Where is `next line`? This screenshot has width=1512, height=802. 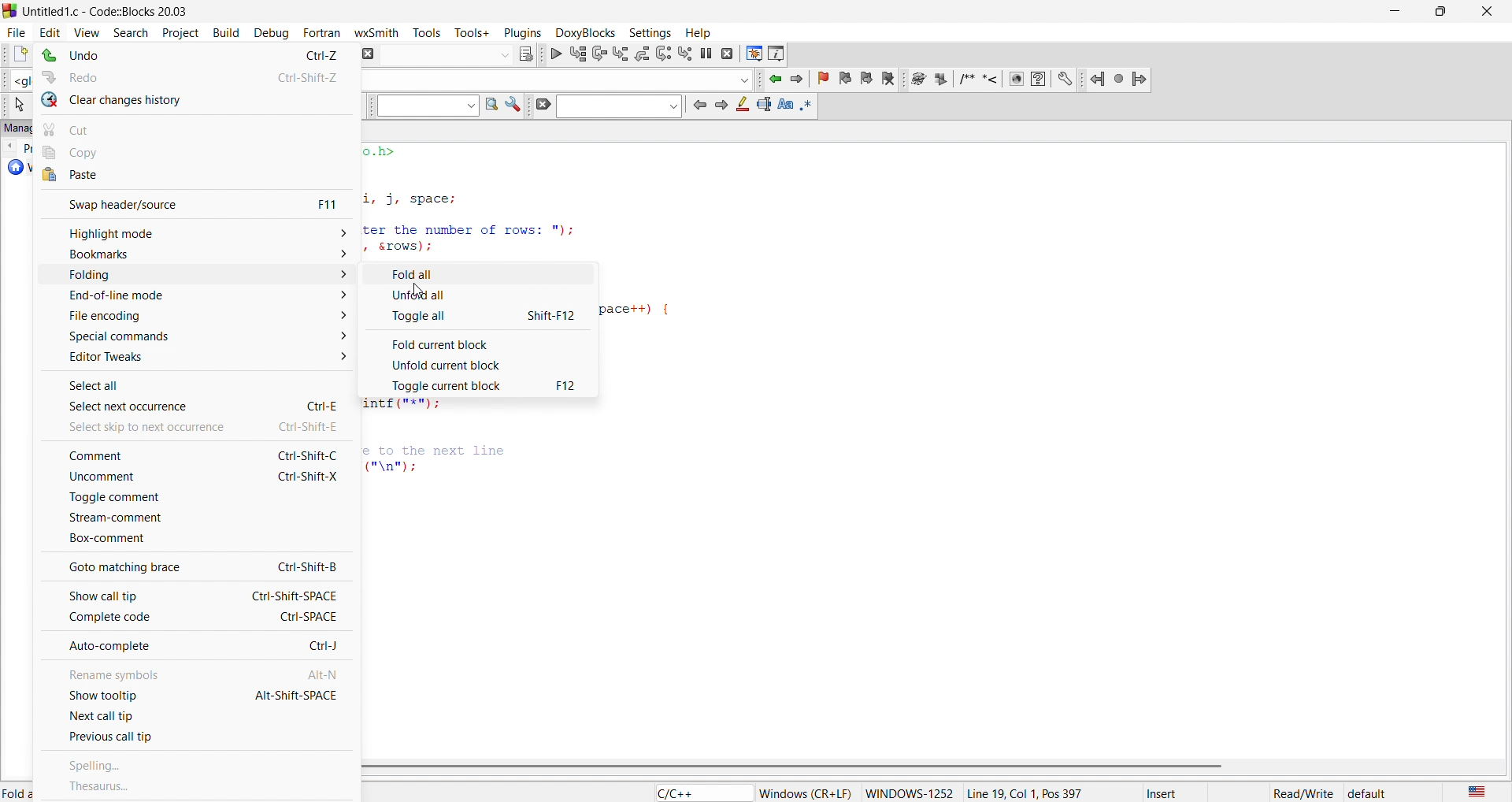 next line is located at coordinates (598, 55).